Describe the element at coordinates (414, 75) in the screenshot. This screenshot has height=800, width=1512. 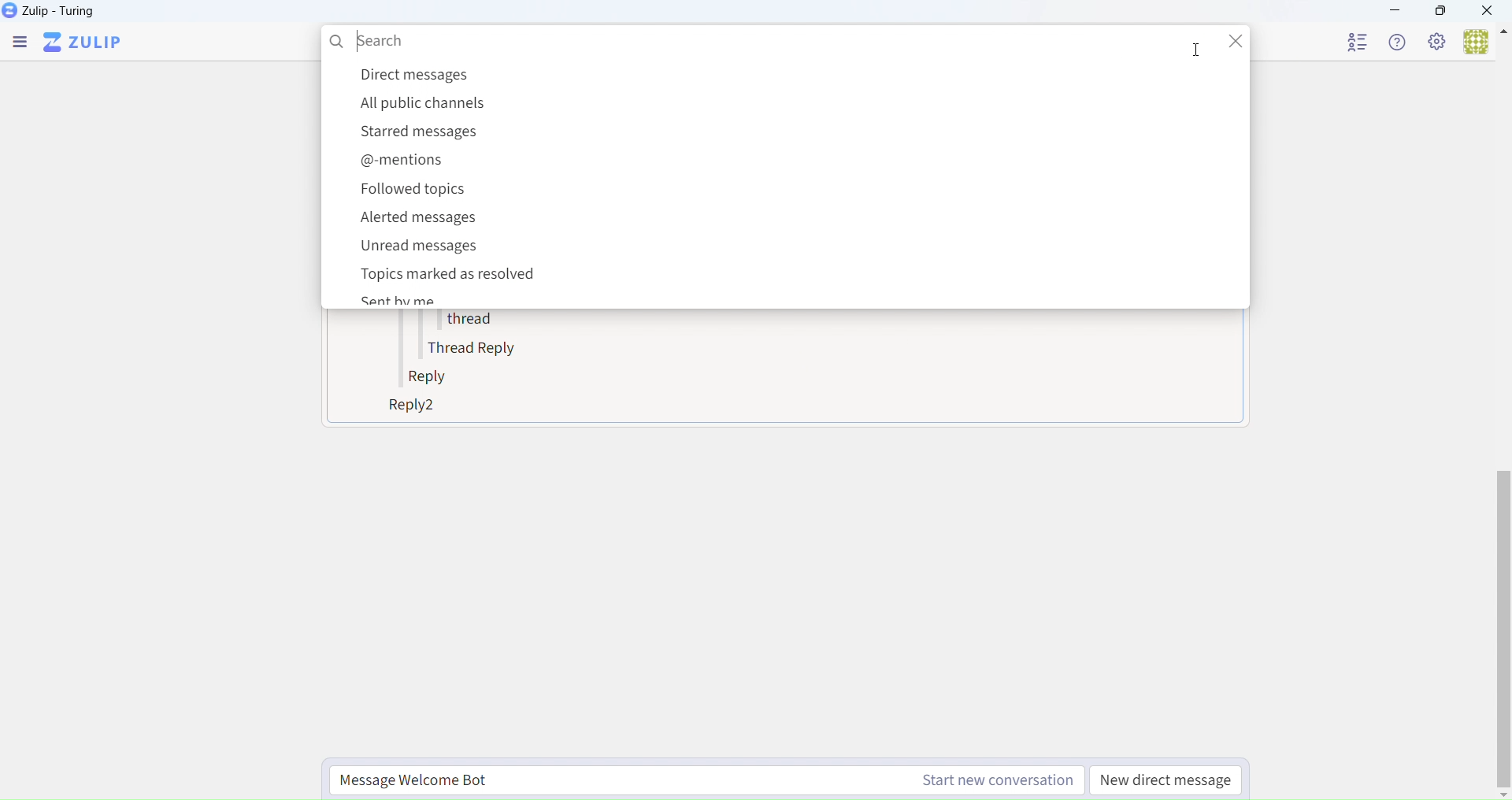
I see `Direct messages` at that location.